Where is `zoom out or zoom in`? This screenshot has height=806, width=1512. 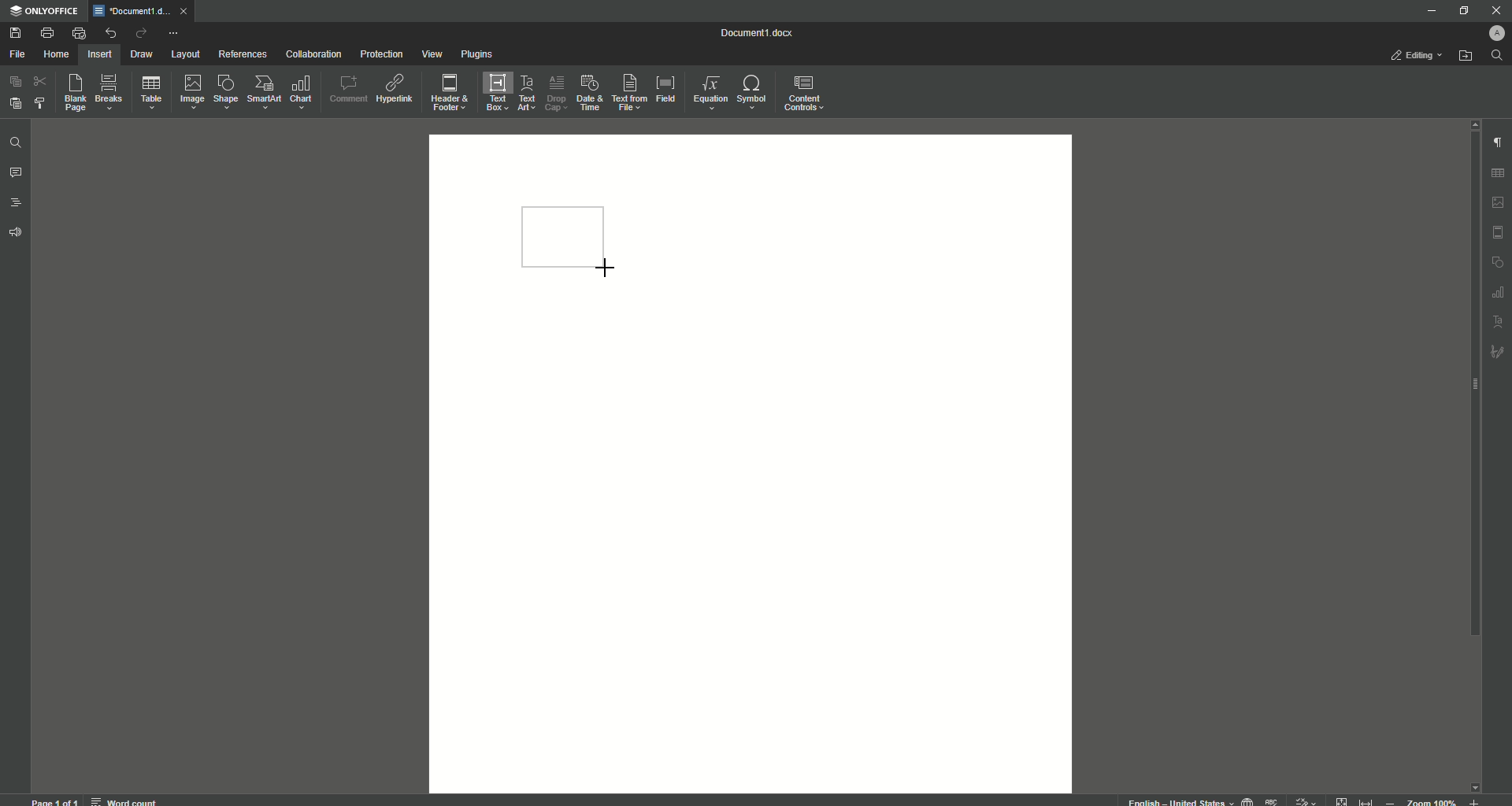
zoom out or zoom in is located at coordinates (1436, 800).